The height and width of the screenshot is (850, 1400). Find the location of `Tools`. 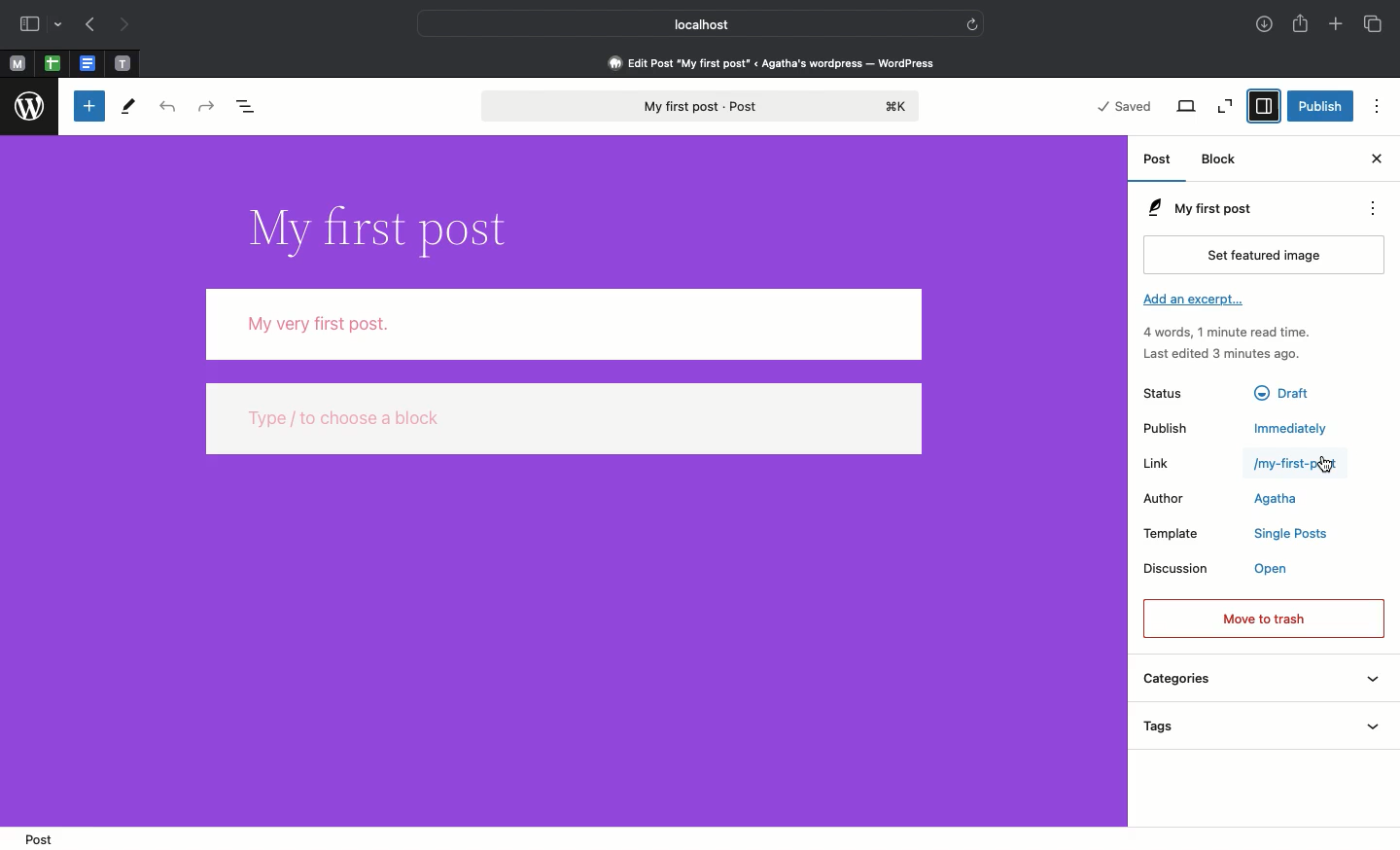

Tools is located at coordinates (130, 107).